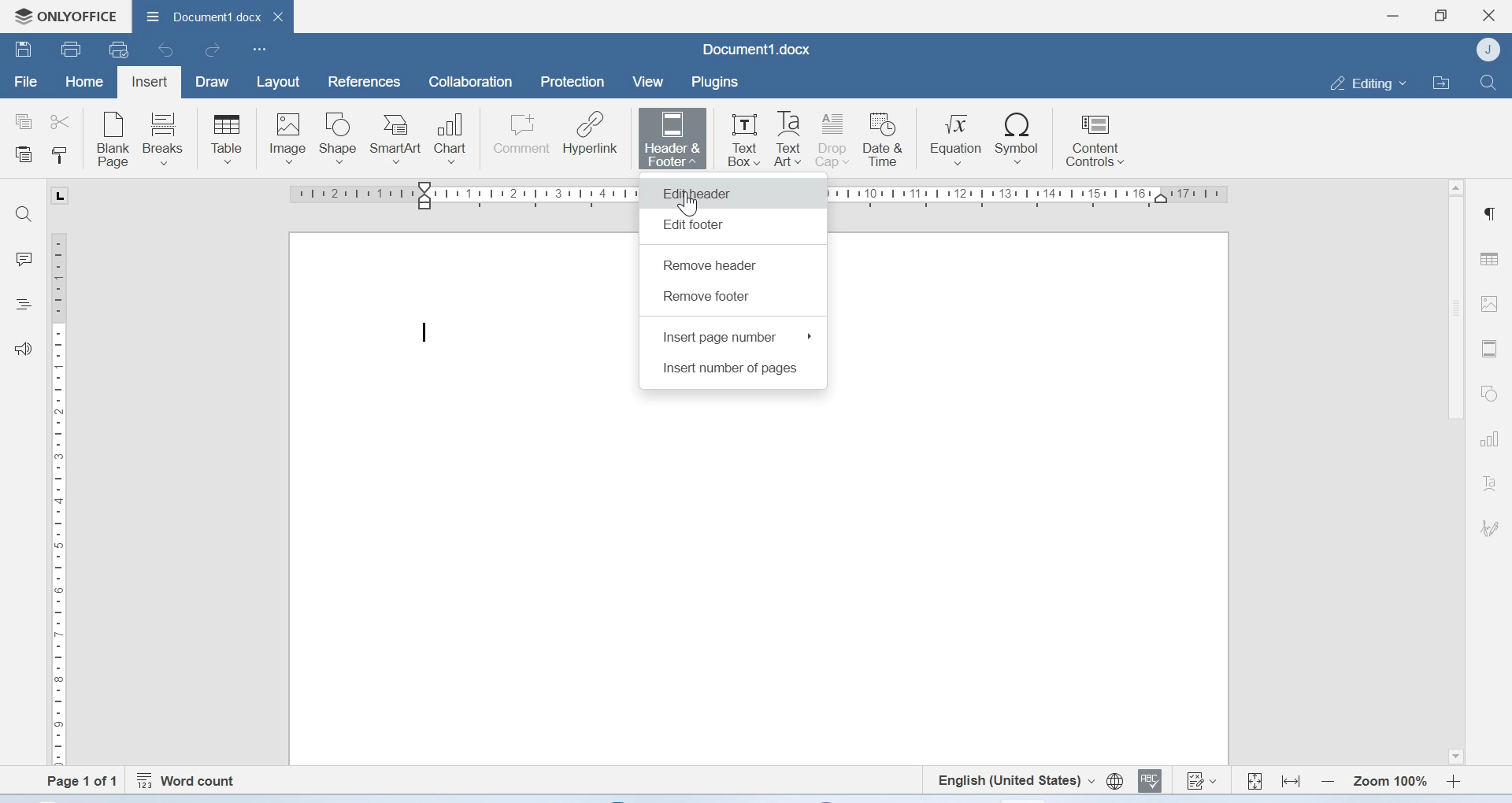  Describe the element at coordinates (24, 156) in the screenshot. I see `Paste` at that location.